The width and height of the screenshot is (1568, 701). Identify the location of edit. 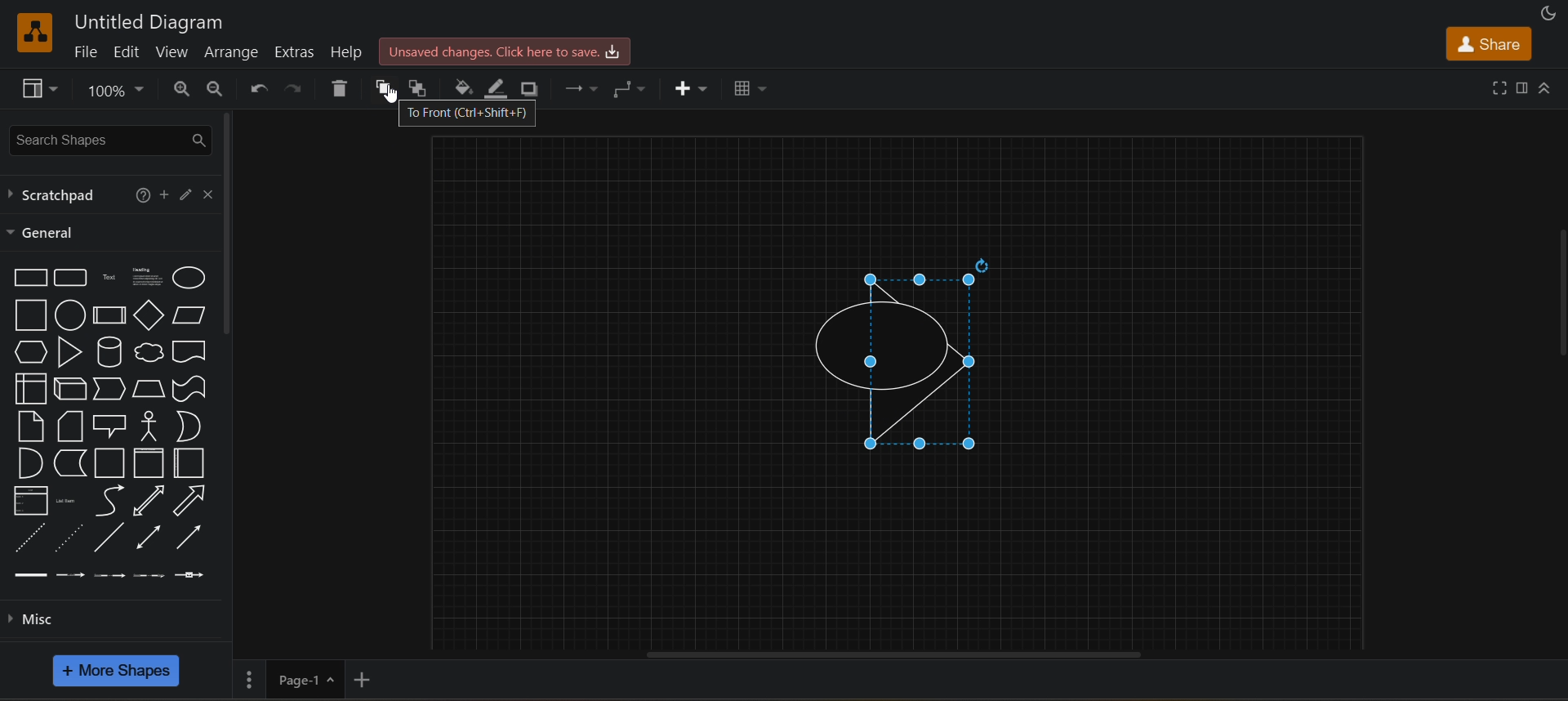
(124, 52).